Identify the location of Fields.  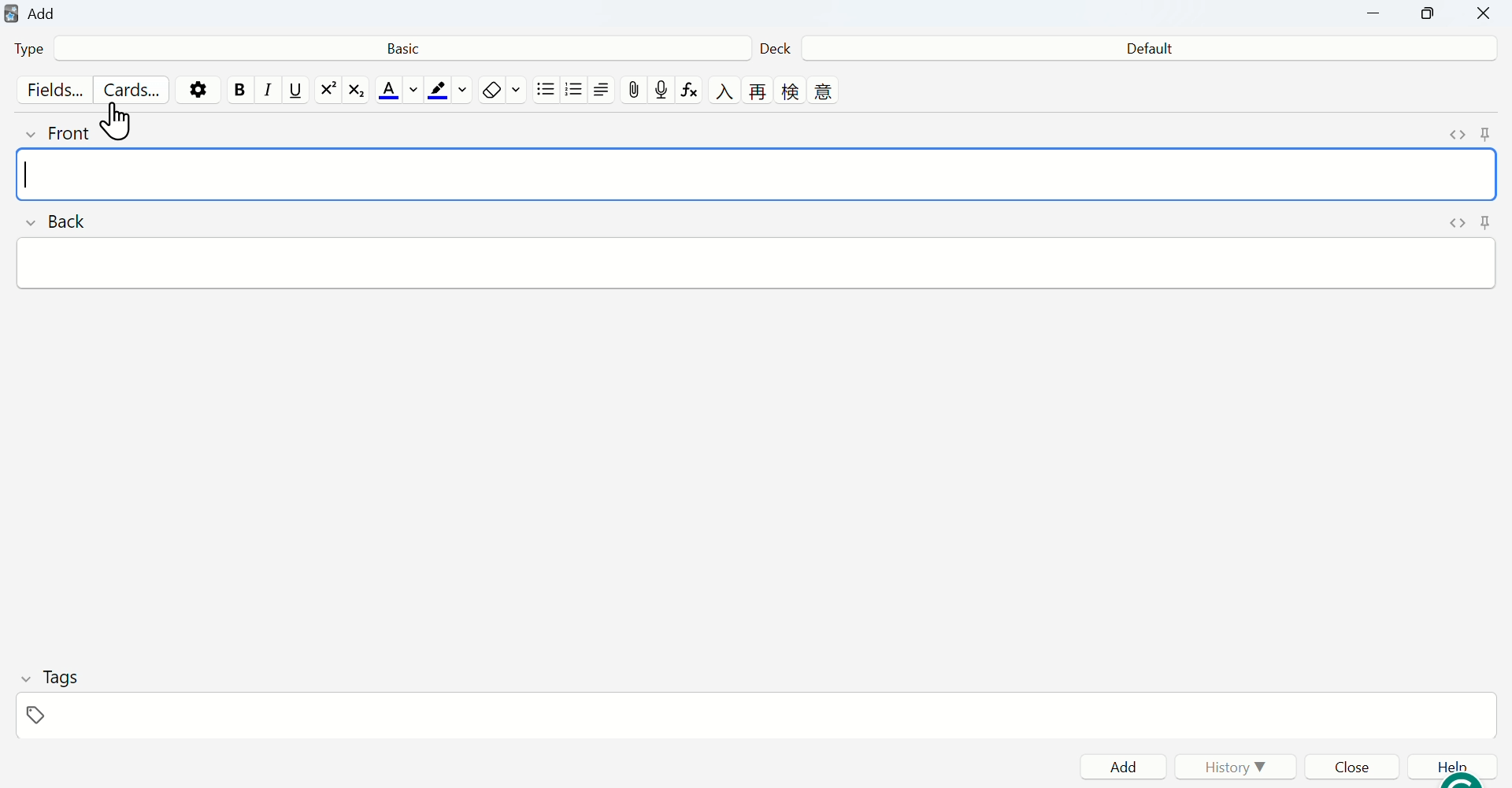
(52, 89).